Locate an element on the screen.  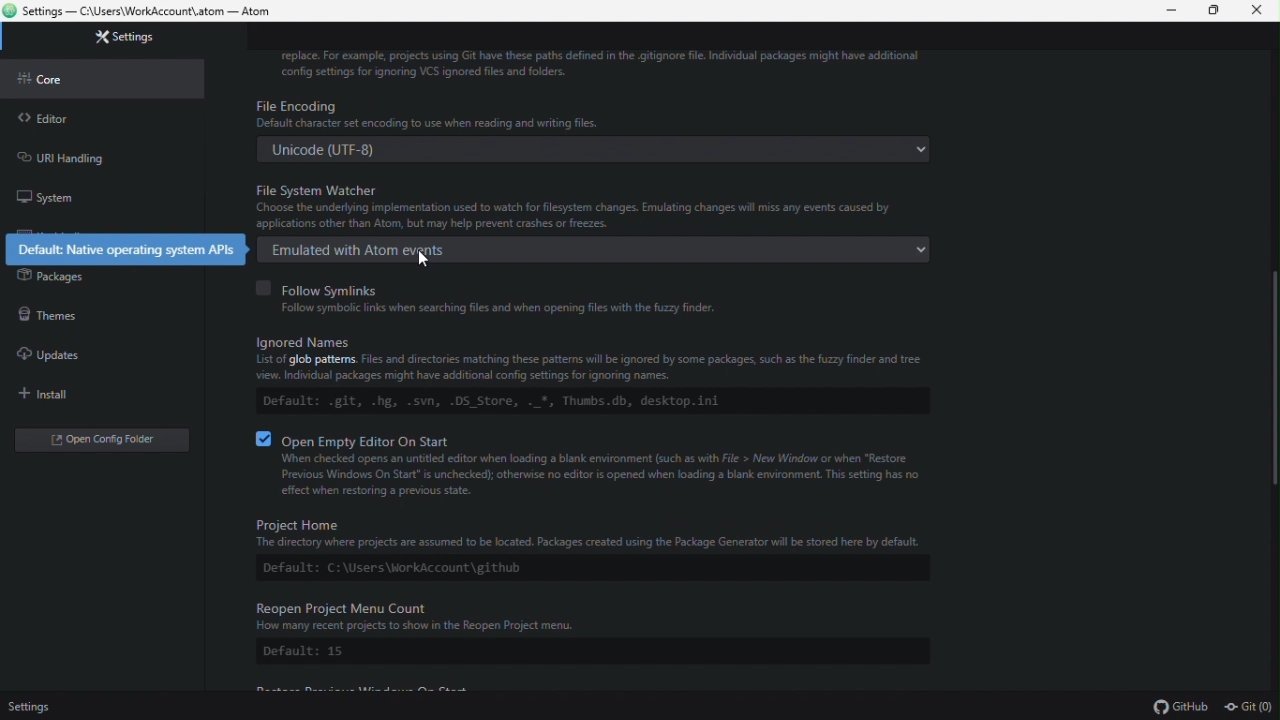
open config editor is located at coordinates (97, 441).